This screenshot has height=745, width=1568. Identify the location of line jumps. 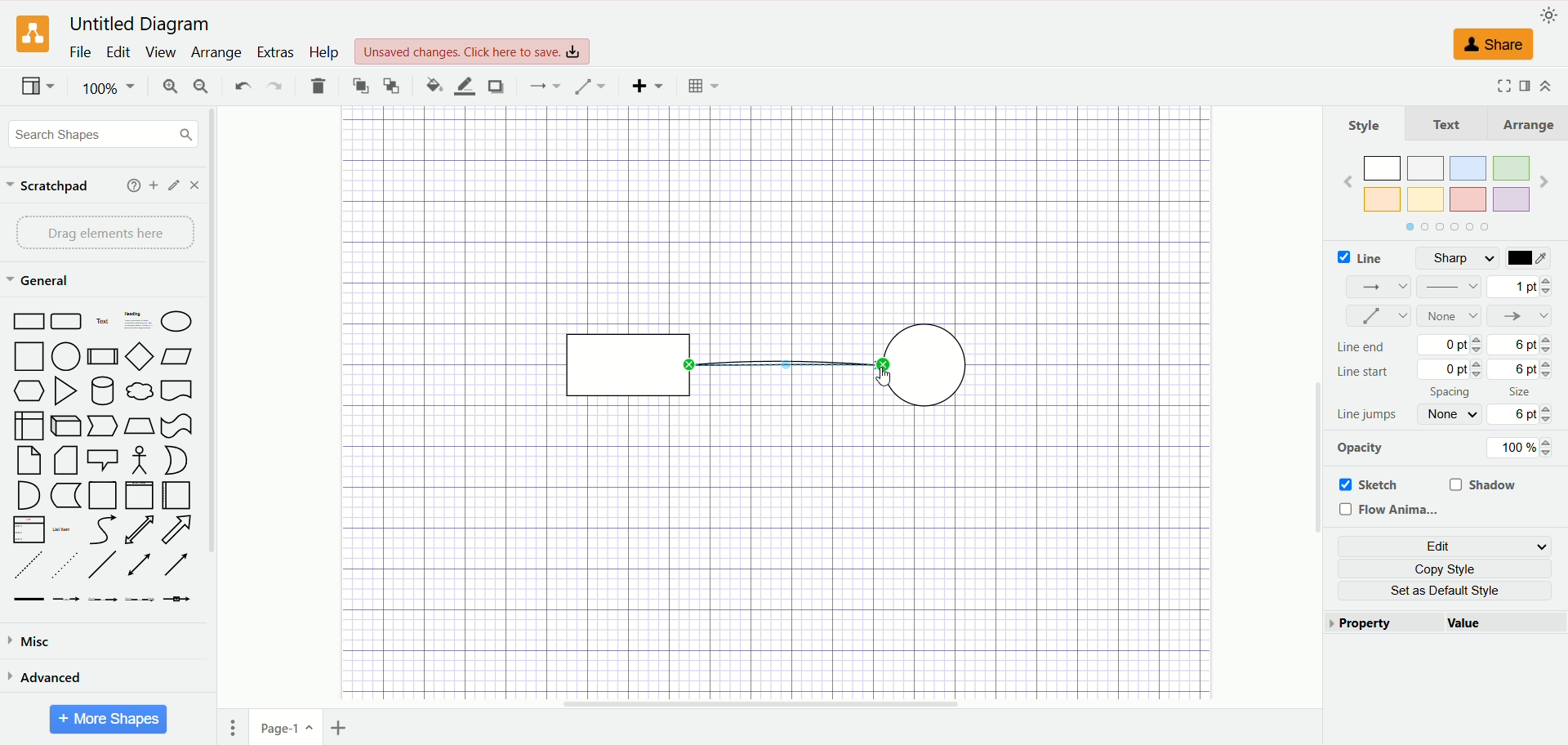
(1366, 417).